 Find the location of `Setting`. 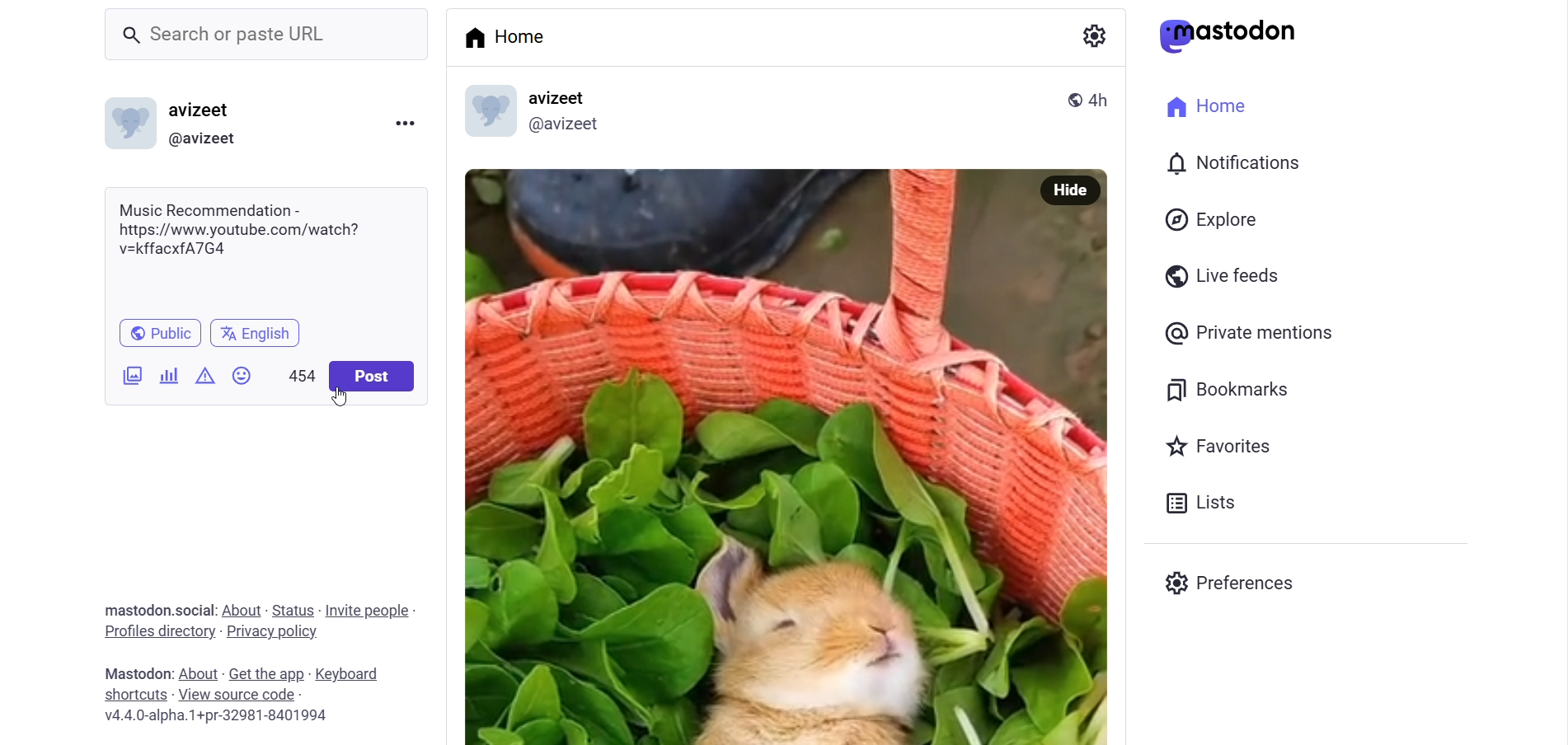

Setting is located at coordinates (1094, 35).